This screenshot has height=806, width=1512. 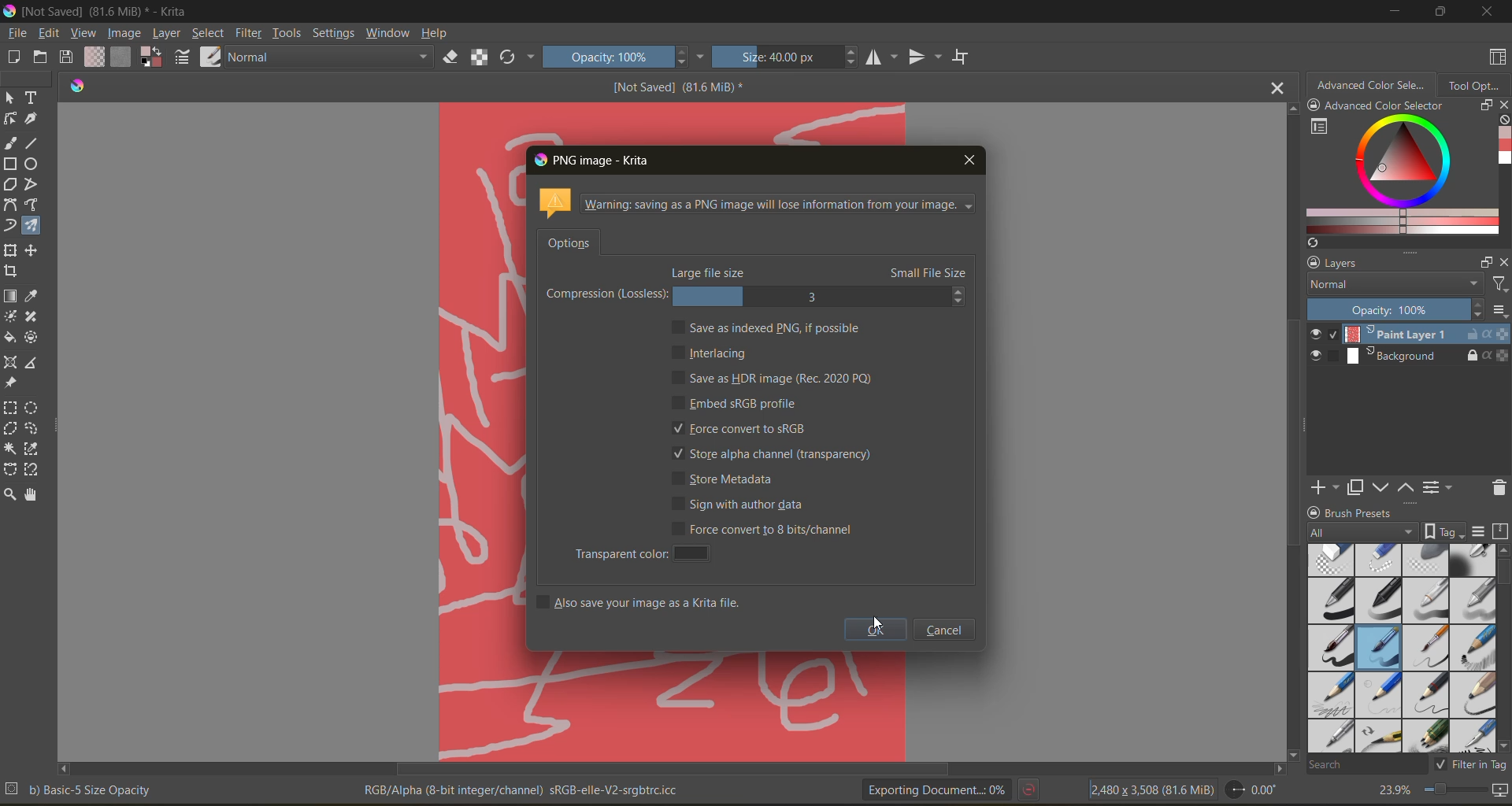 What do you see at coordinates (77, 84) in the screenshot?
I see `Software logo` at bounding box center [77, 84].